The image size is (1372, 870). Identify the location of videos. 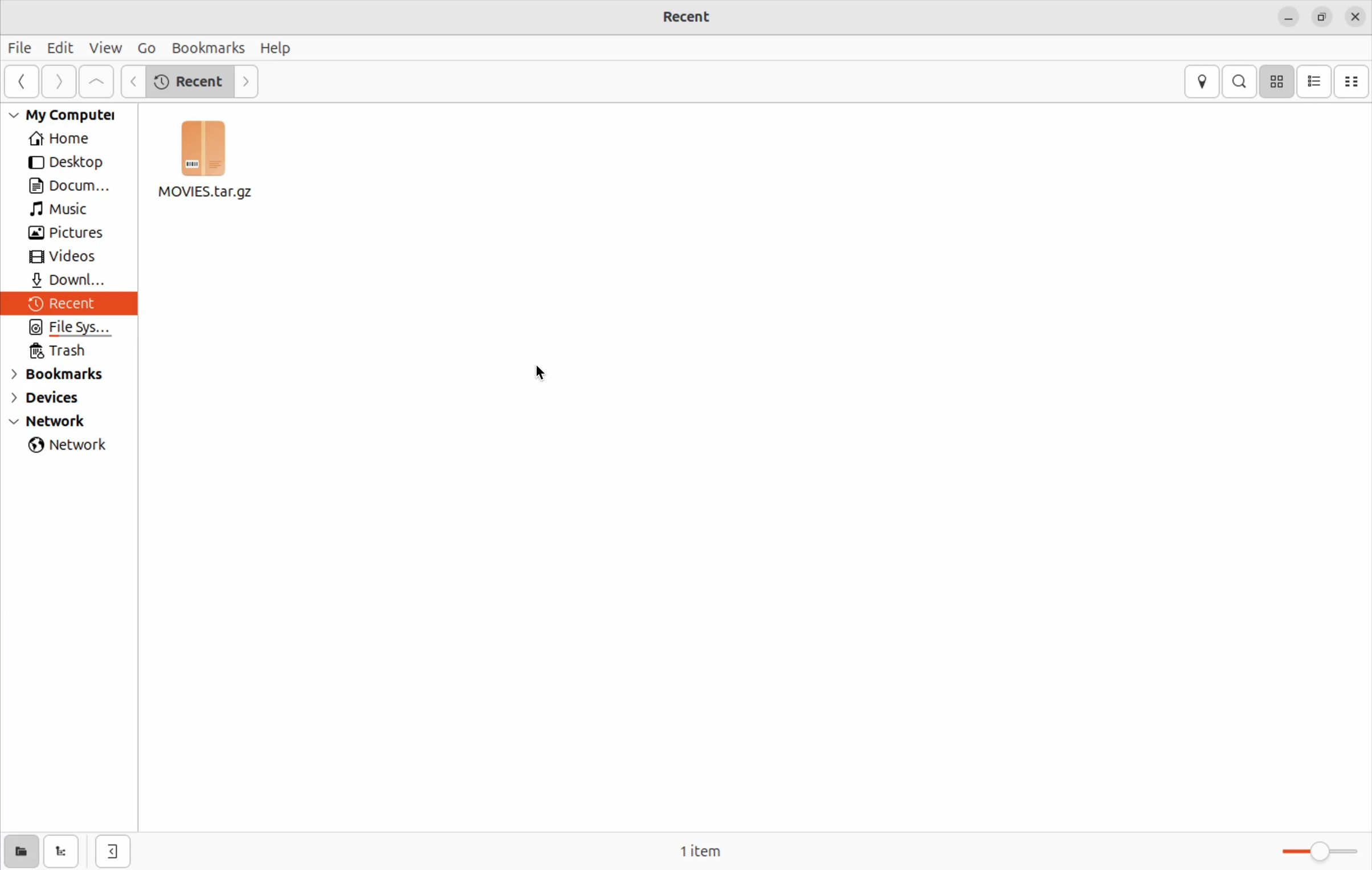
(68, 257).